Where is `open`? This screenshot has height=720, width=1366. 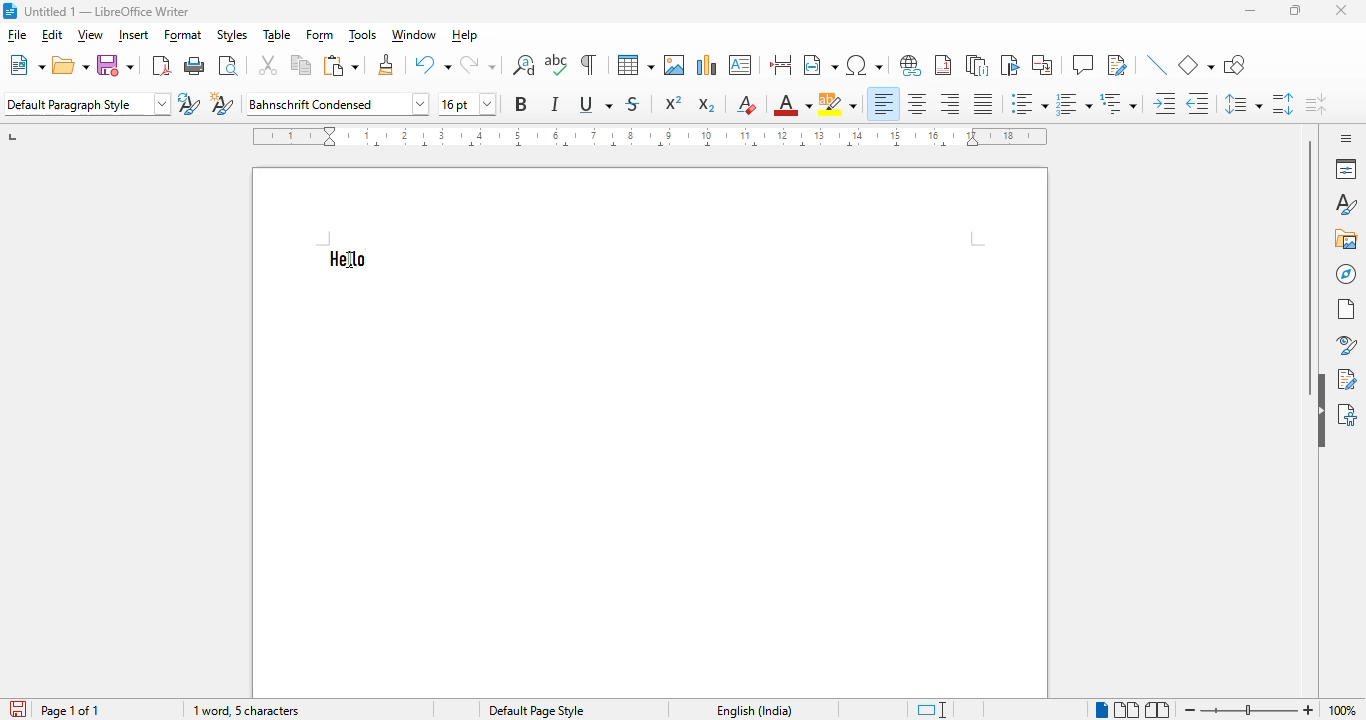
open is located at coordinates (71, 65).